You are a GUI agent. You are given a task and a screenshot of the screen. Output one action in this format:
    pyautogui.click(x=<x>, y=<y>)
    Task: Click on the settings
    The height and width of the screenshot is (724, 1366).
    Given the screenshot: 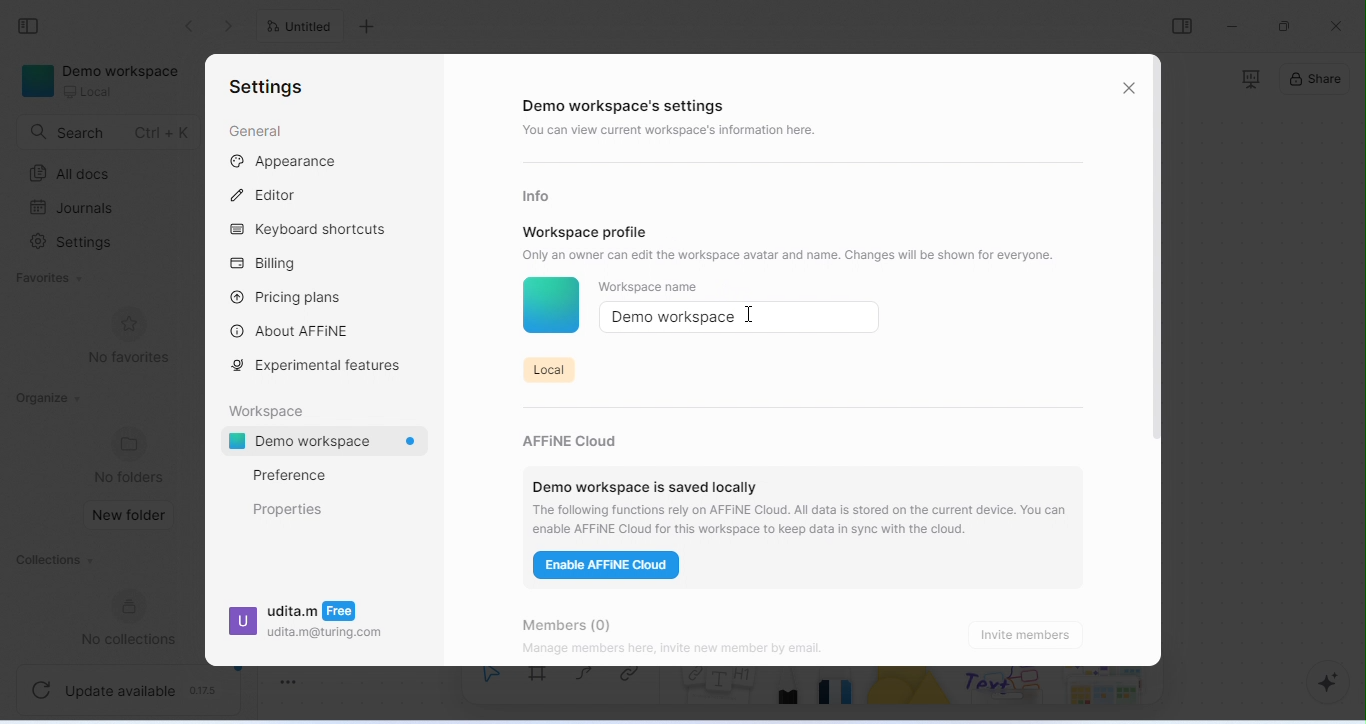 What is the action you would take?
    pyautogui.click(x=266, y=88)
    